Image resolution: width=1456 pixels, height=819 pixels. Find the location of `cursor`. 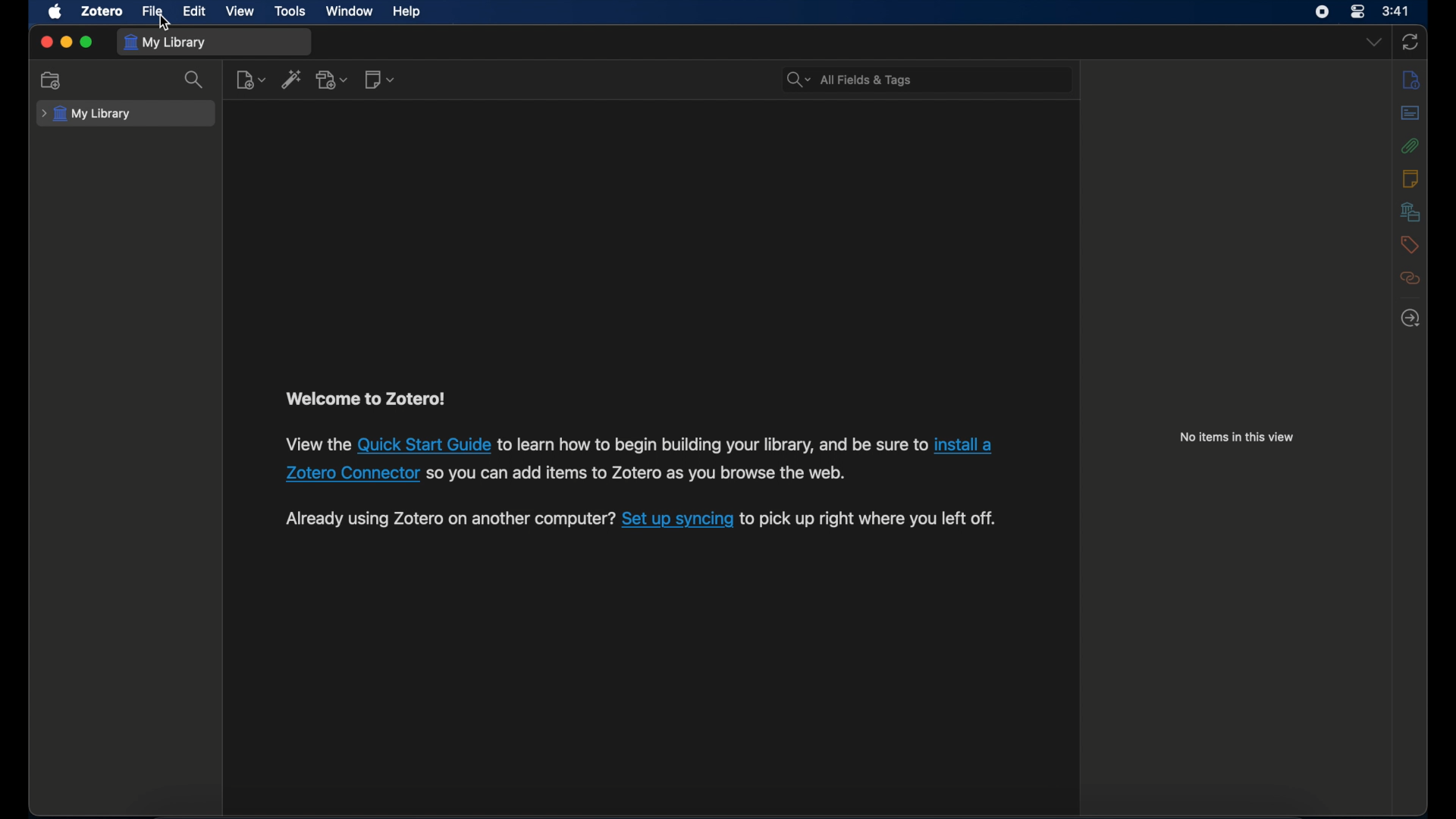

cursor is located at coordinates (165, 24).